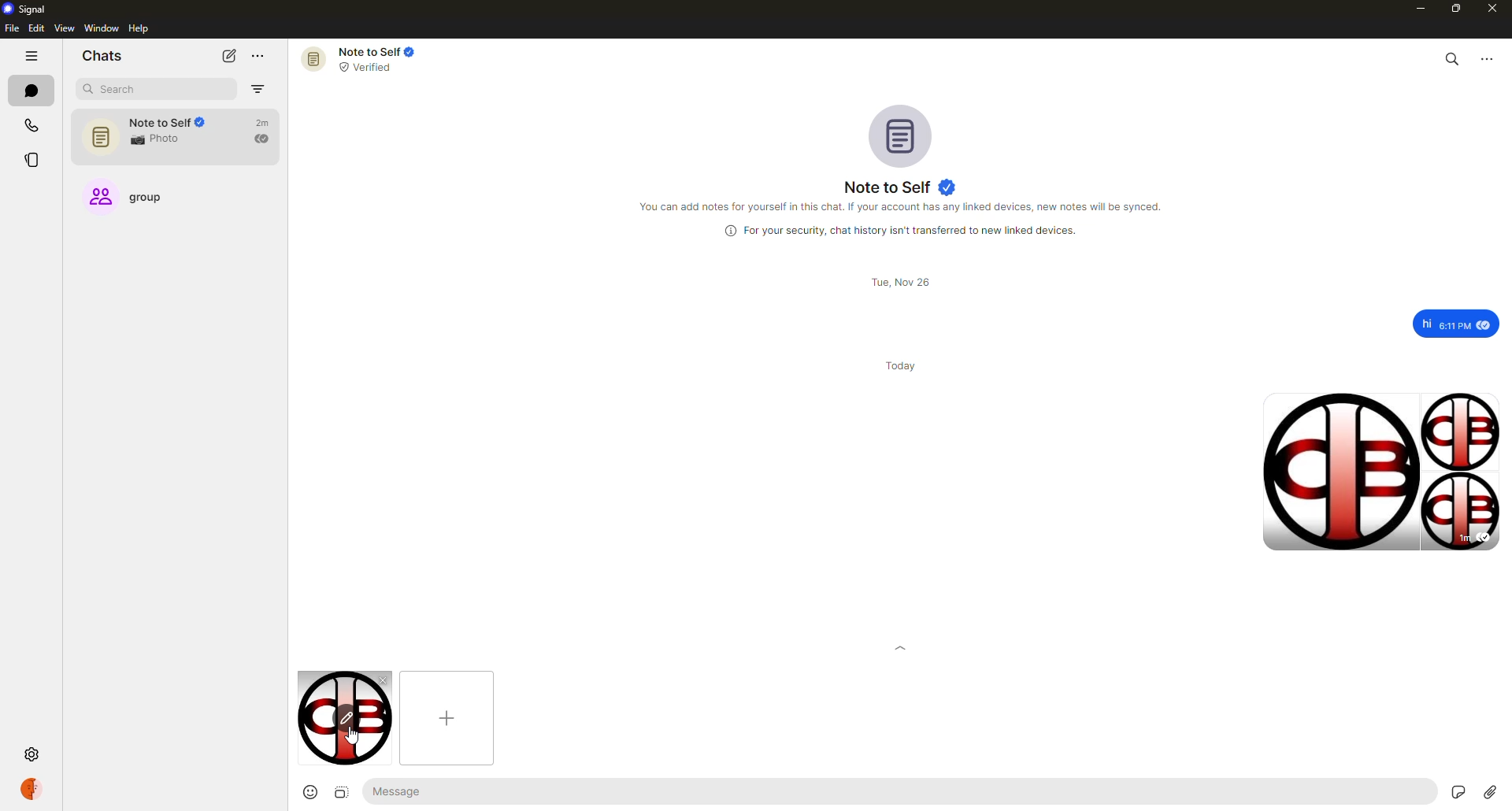  What do you see at coordinates (123, 91) in the screenshot?
I see `search` at bounding box center [123, 91].